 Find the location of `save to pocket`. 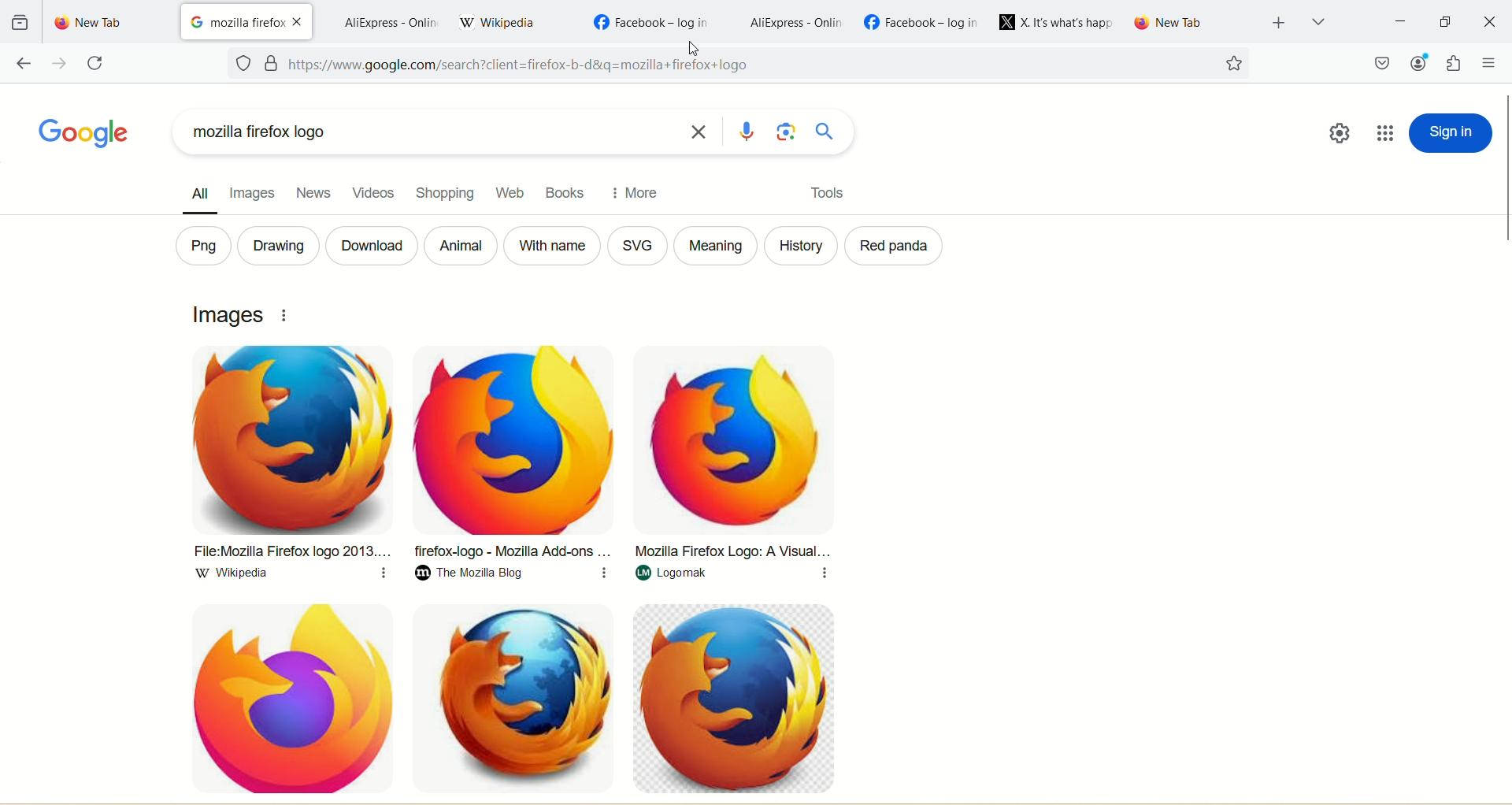

save to pocket is located at coordinates (1382, 63).